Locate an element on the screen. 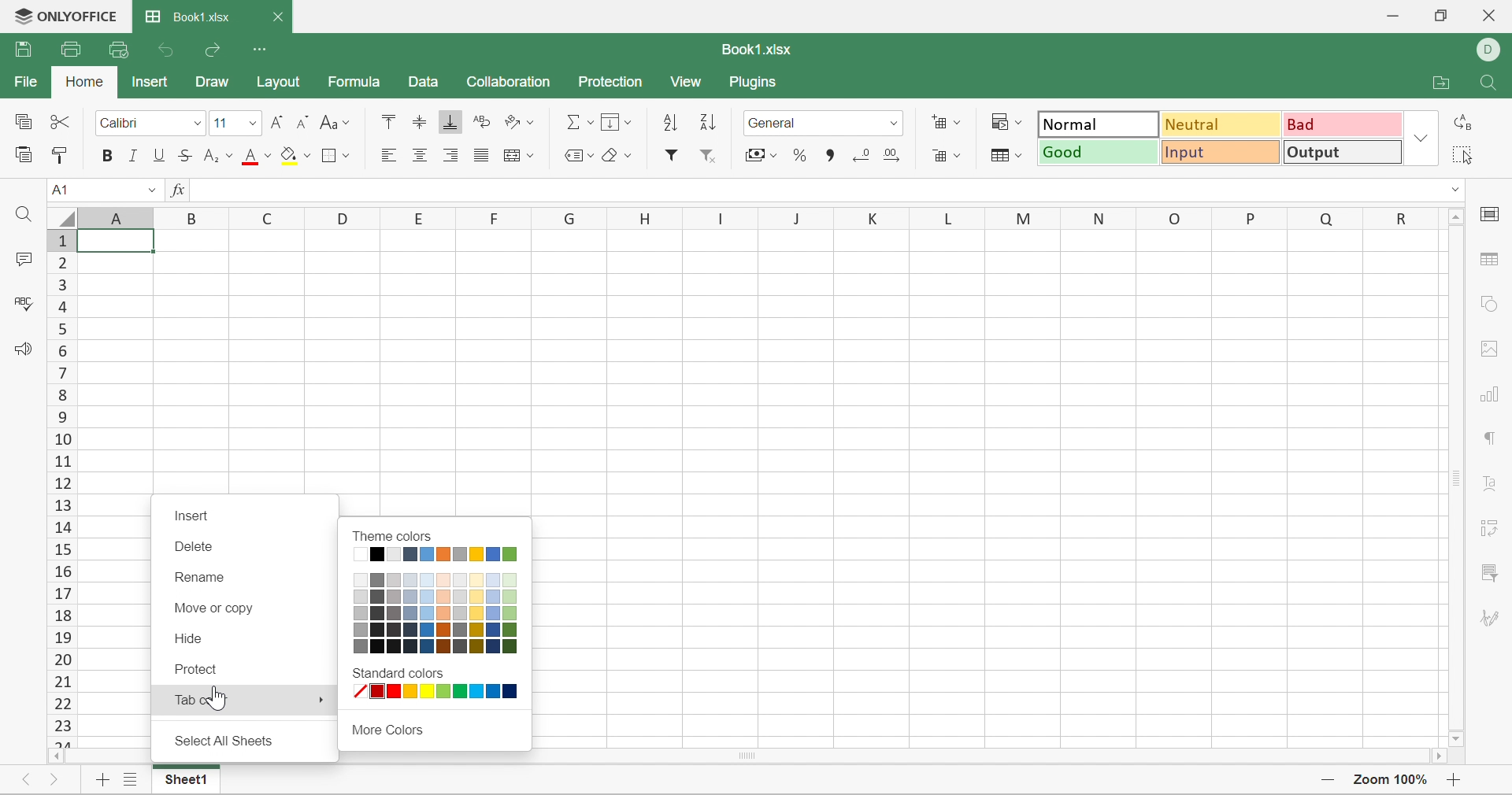 The image size is (1512, 795). K is located at coordinates (865, 217).